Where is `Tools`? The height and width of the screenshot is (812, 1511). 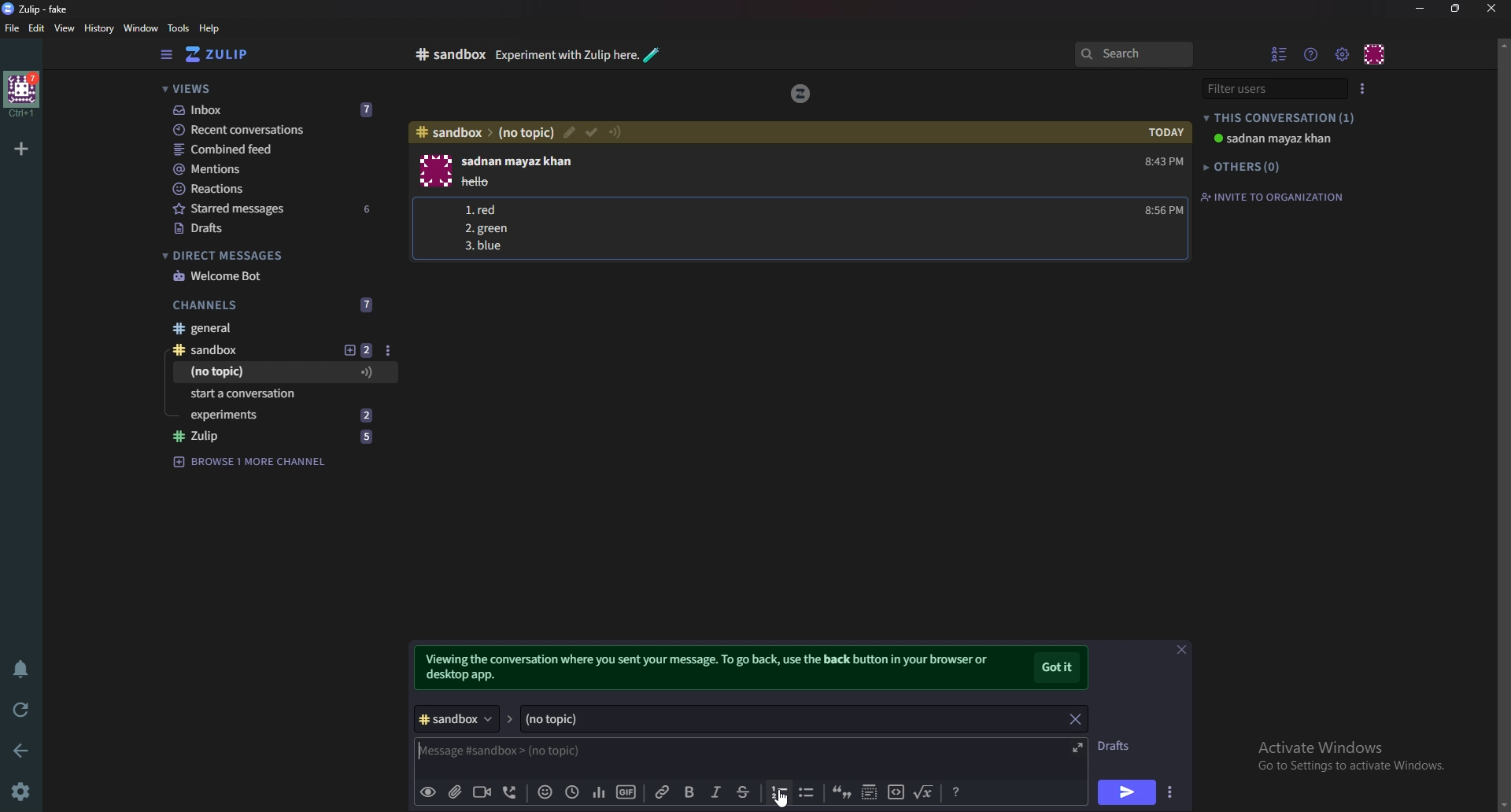
Tools is located at coordinates (178, 28).